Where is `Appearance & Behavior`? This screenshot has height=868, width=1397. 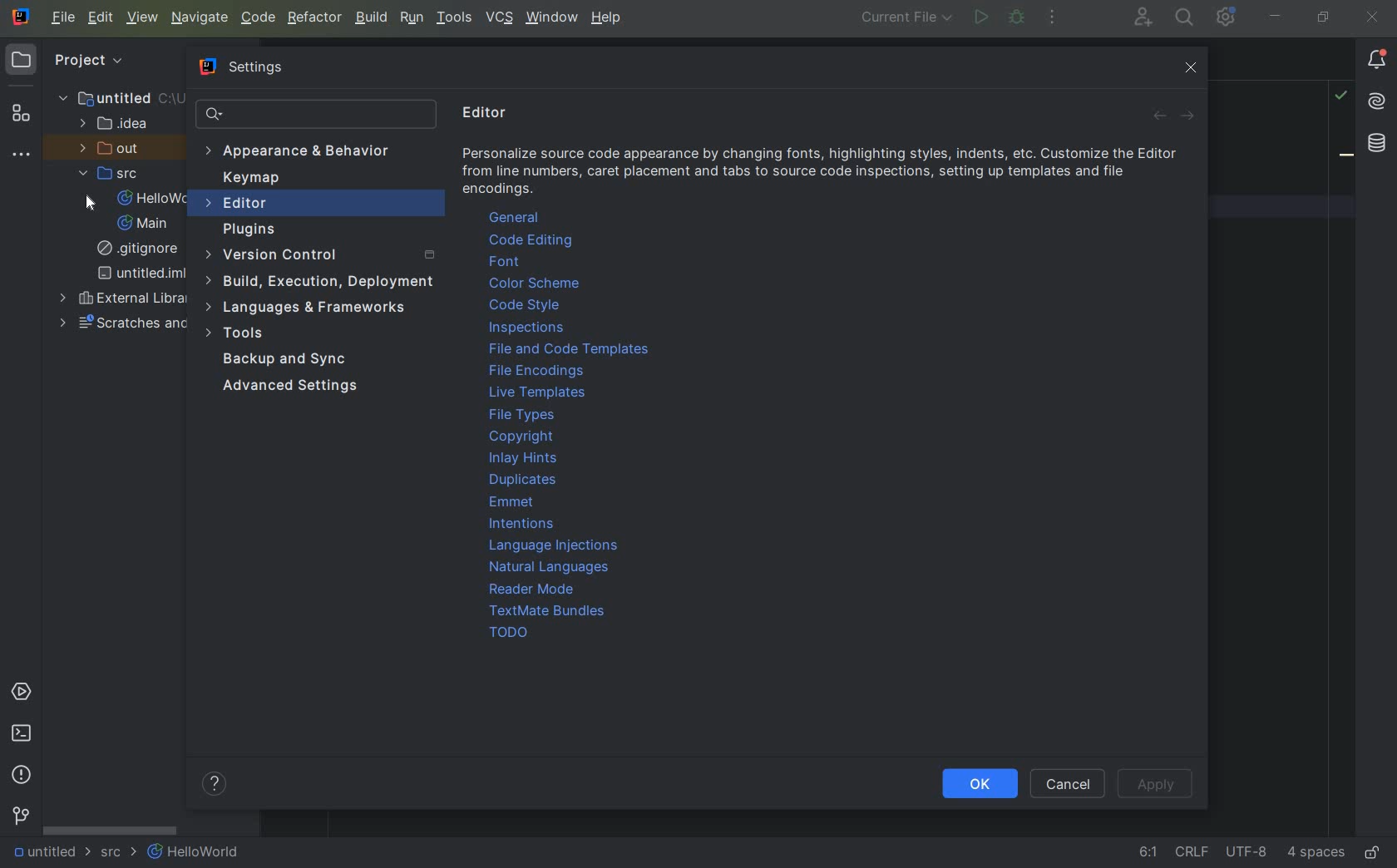 Appearance & Behavior is located at coordinates (300, 150).